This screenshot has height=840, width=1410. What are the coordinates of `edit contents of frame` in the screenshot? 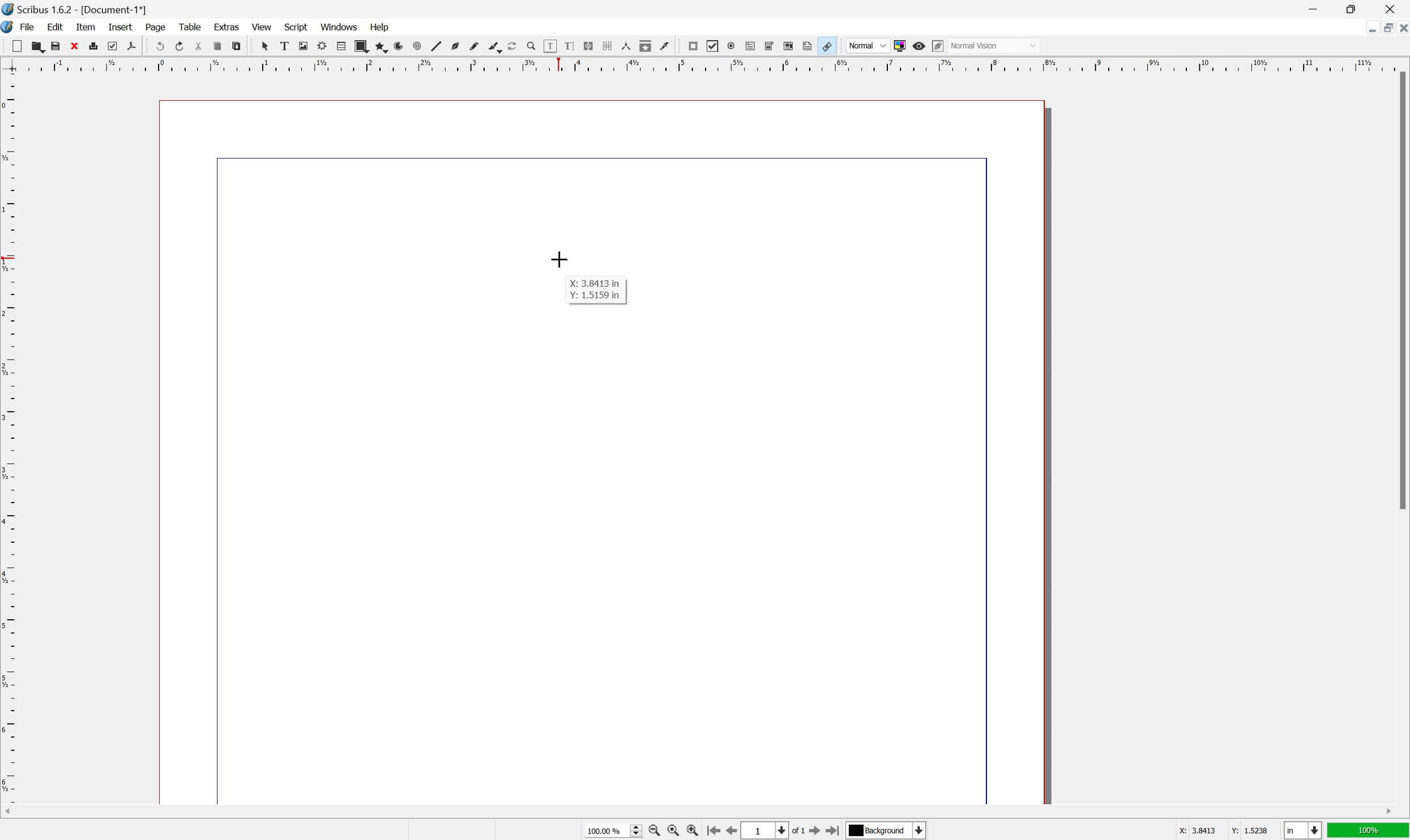 It's located at (550, 46).